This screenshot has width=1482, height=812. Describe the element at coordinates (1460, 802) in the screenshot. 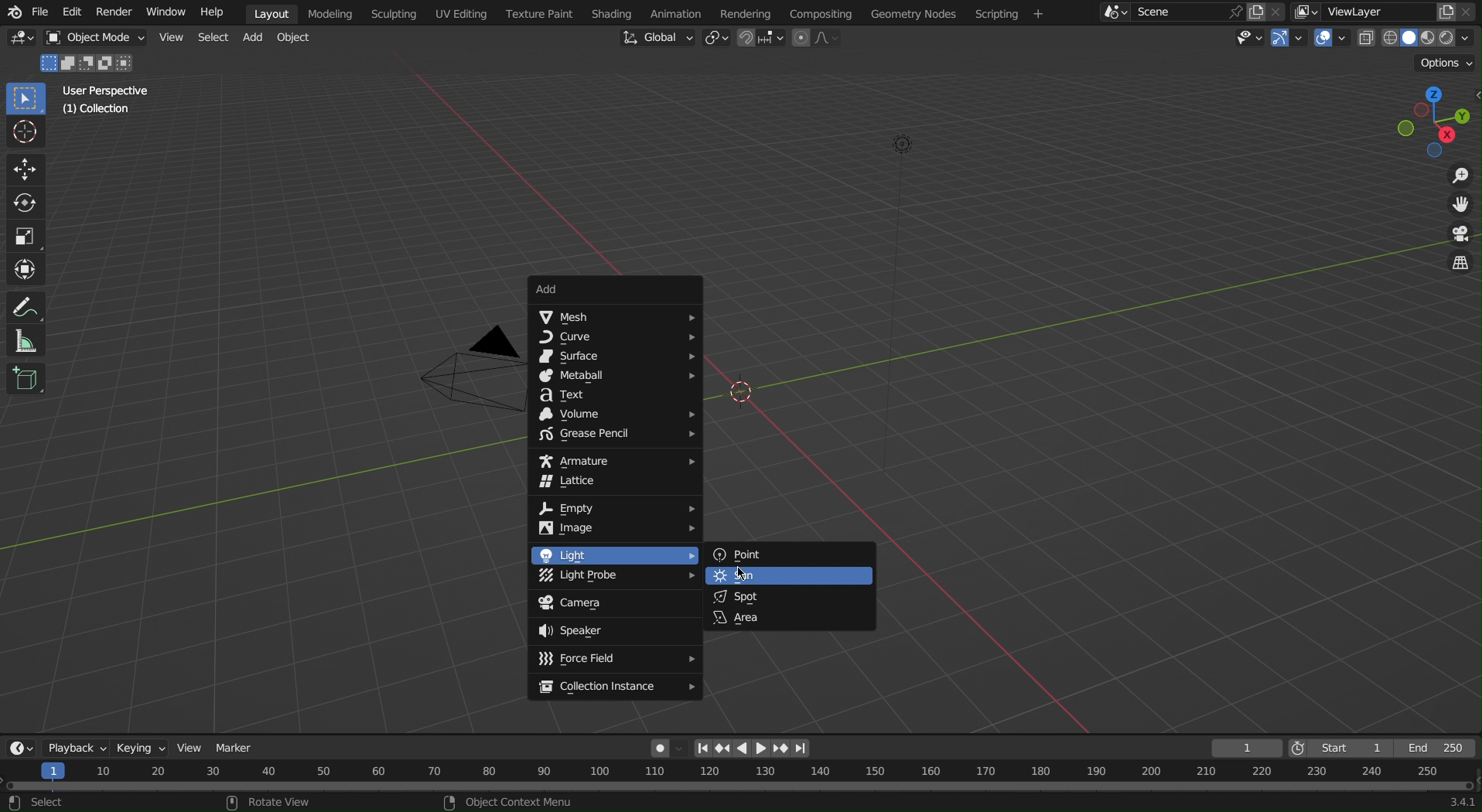

I see `3:41` at that location.